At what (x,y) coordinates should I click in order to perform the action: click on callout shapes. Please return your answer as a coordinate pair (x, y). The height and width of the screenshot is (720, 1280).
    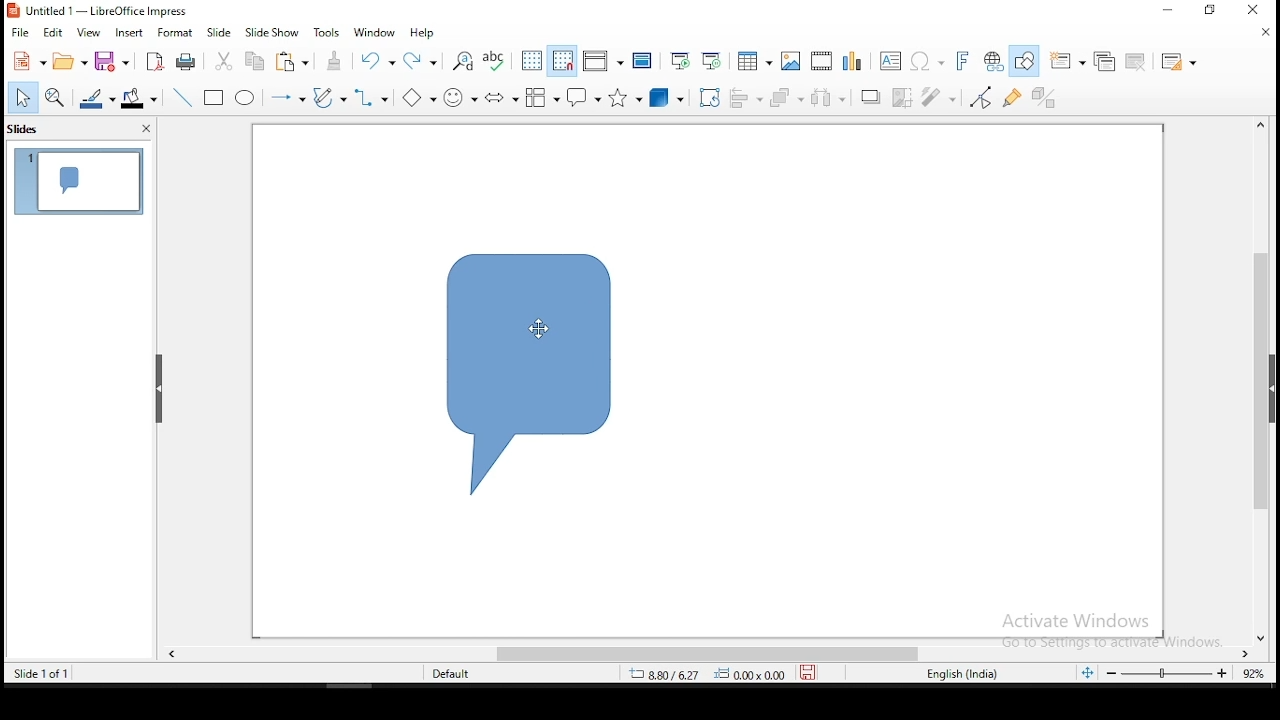
    Looking at the image, I should click on (583, 96).